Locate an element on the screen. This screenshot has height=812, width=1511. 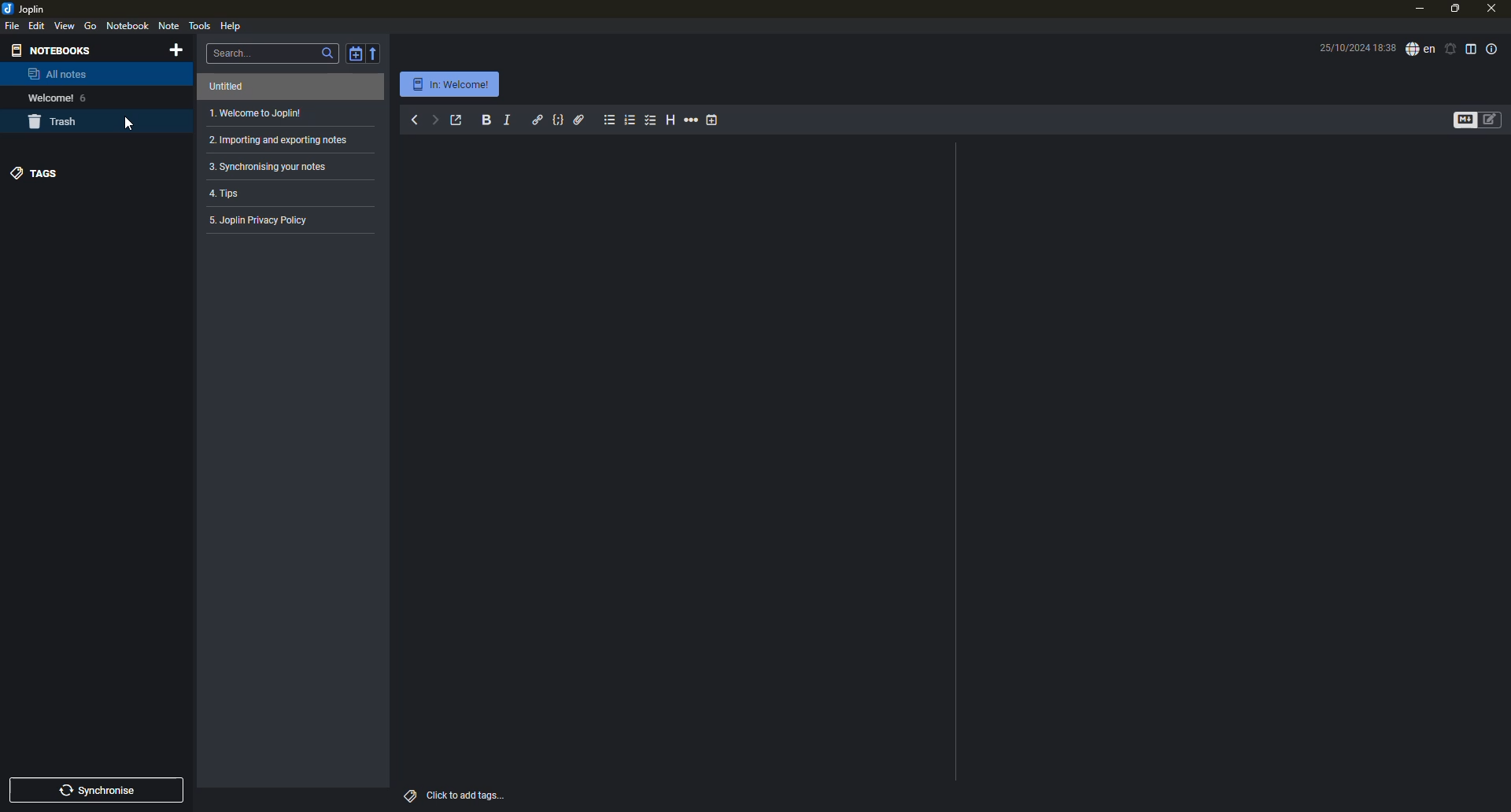
view is located at coordinates (65, 25).